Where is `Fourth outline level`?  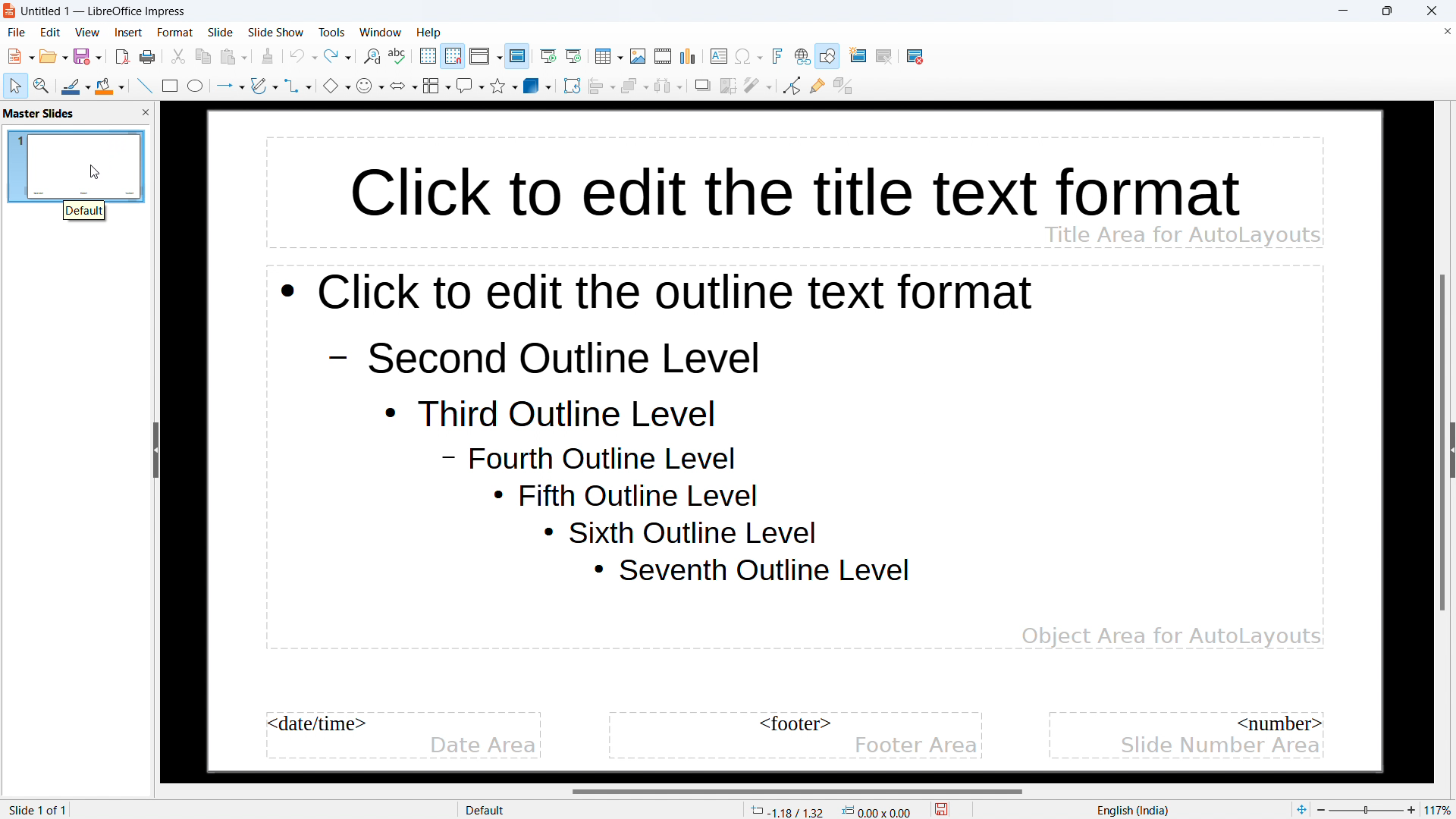
Fourth outline level is located at coordinates (593, 461).